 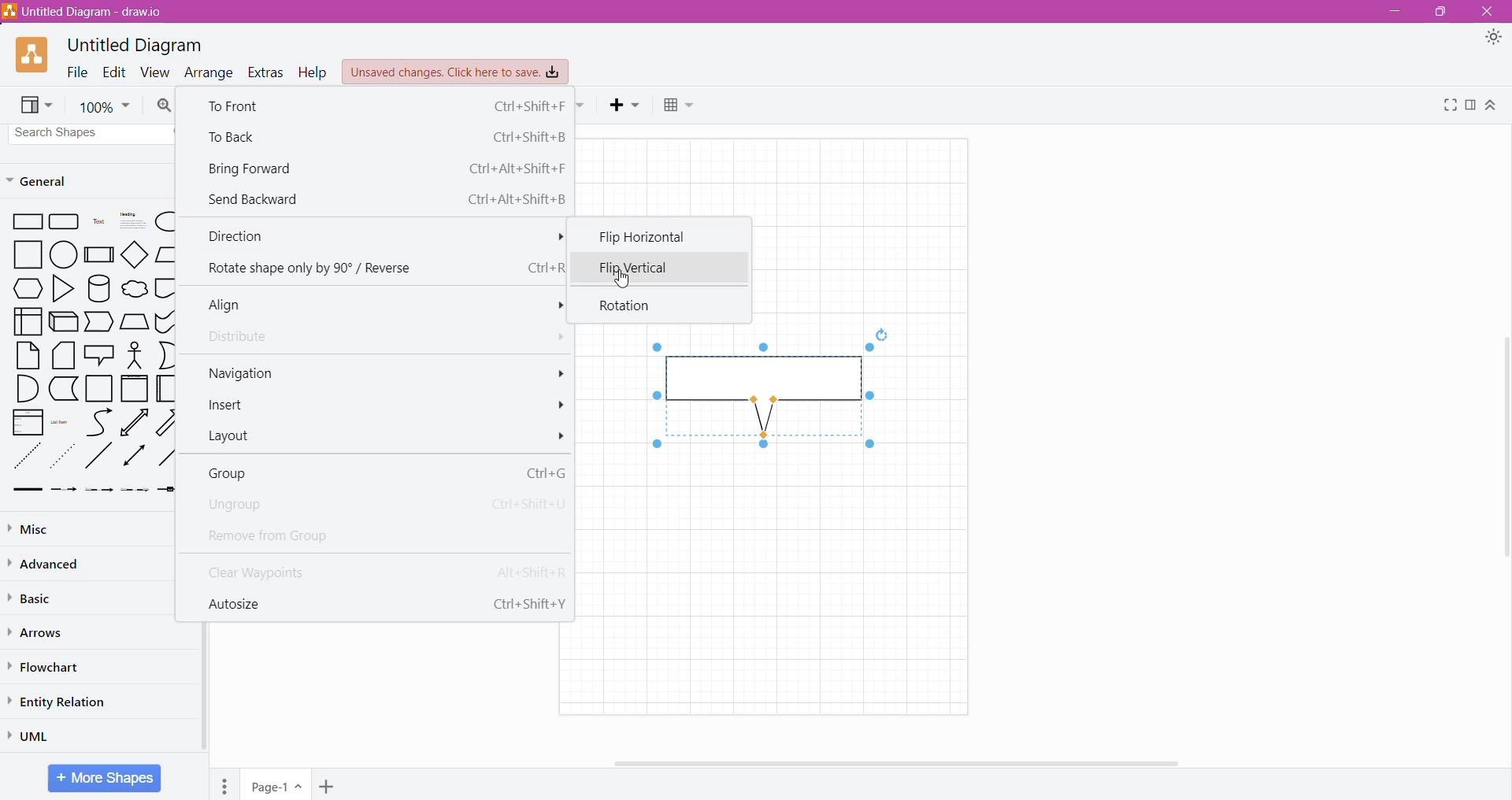 I want to click on Arrows, so click(x=39, y=632).